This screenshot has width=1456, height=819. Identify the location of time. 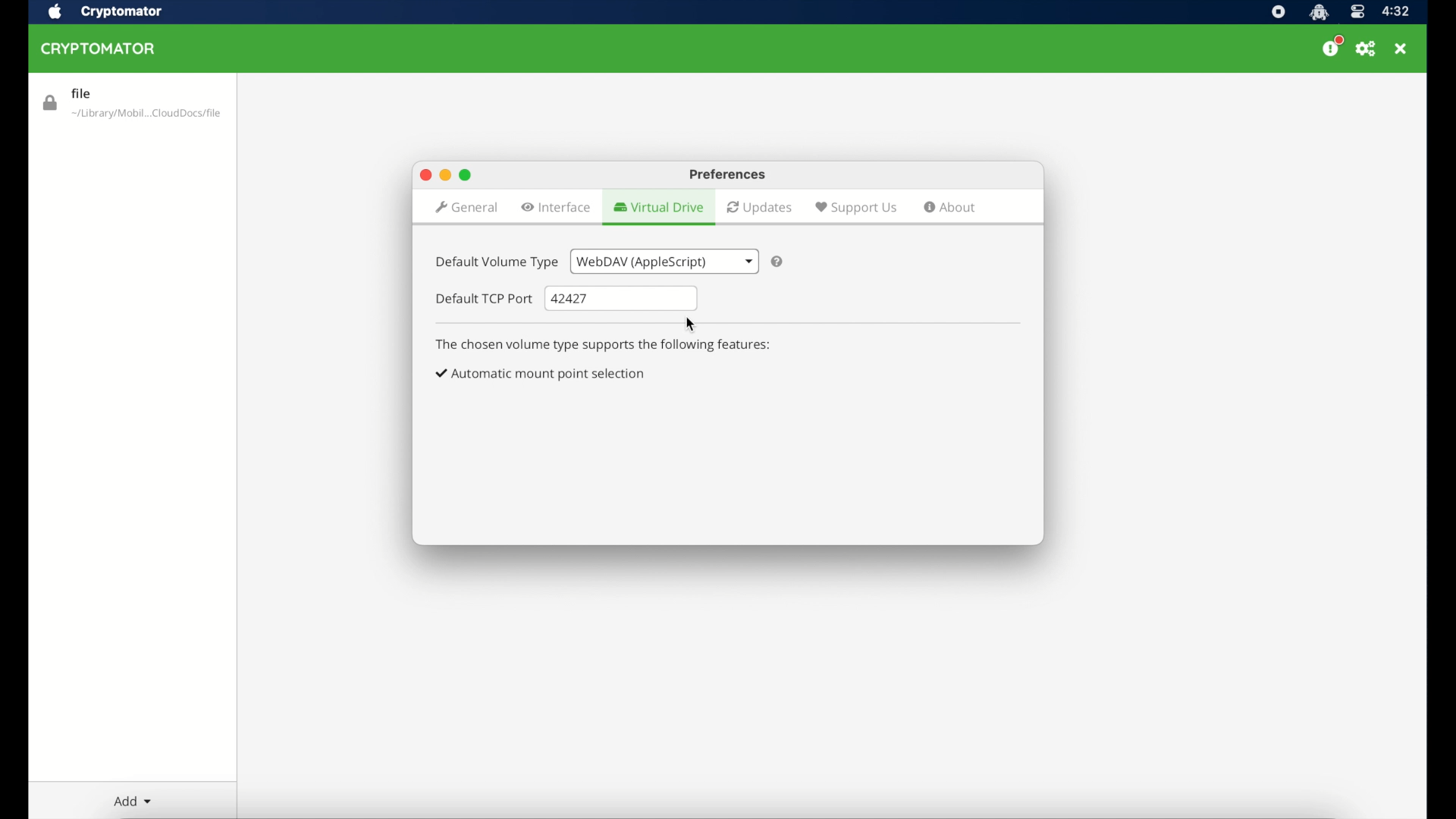
(1395, 12).